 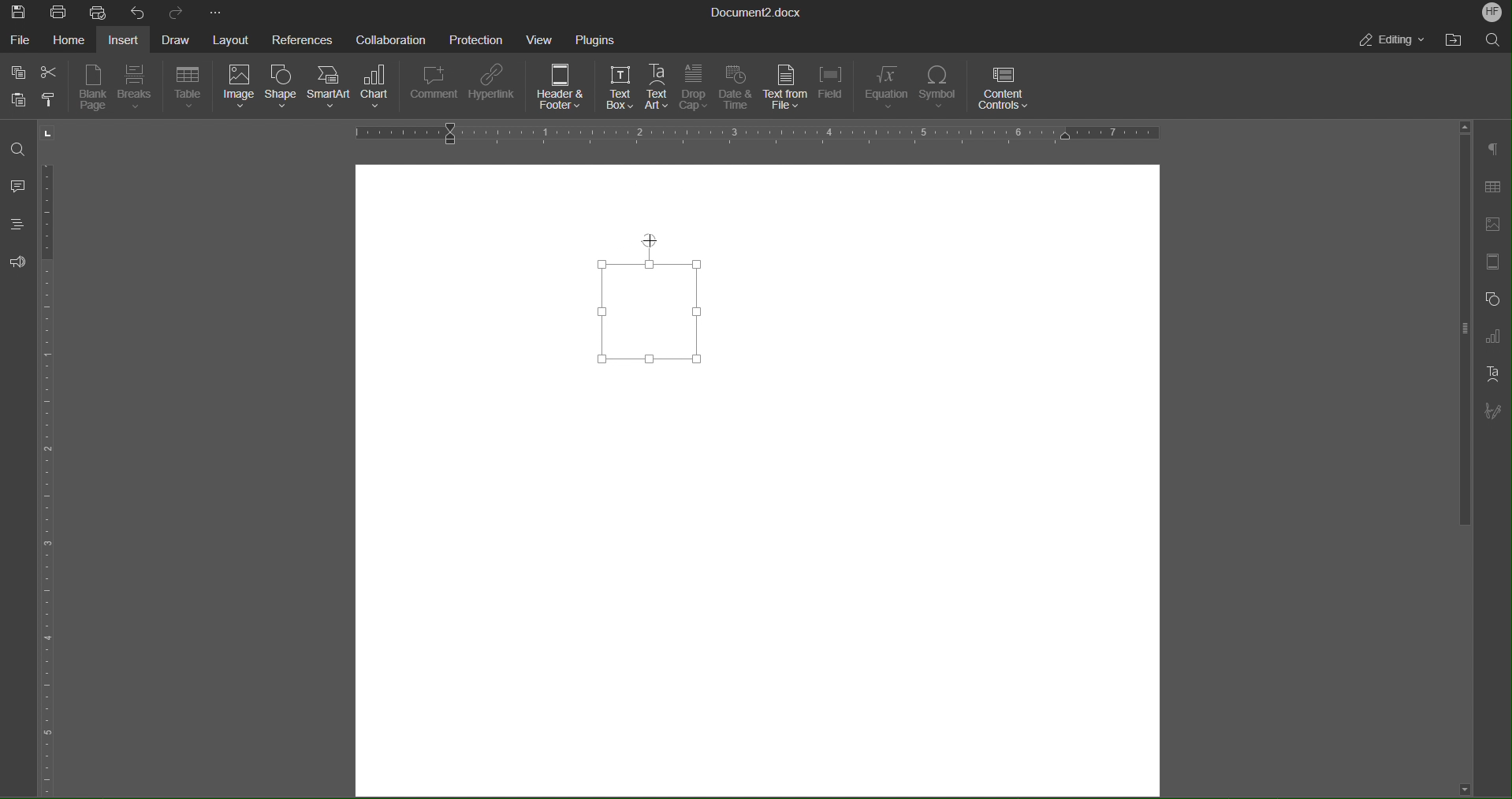 I want to click on More, so click(x=216, y=11).